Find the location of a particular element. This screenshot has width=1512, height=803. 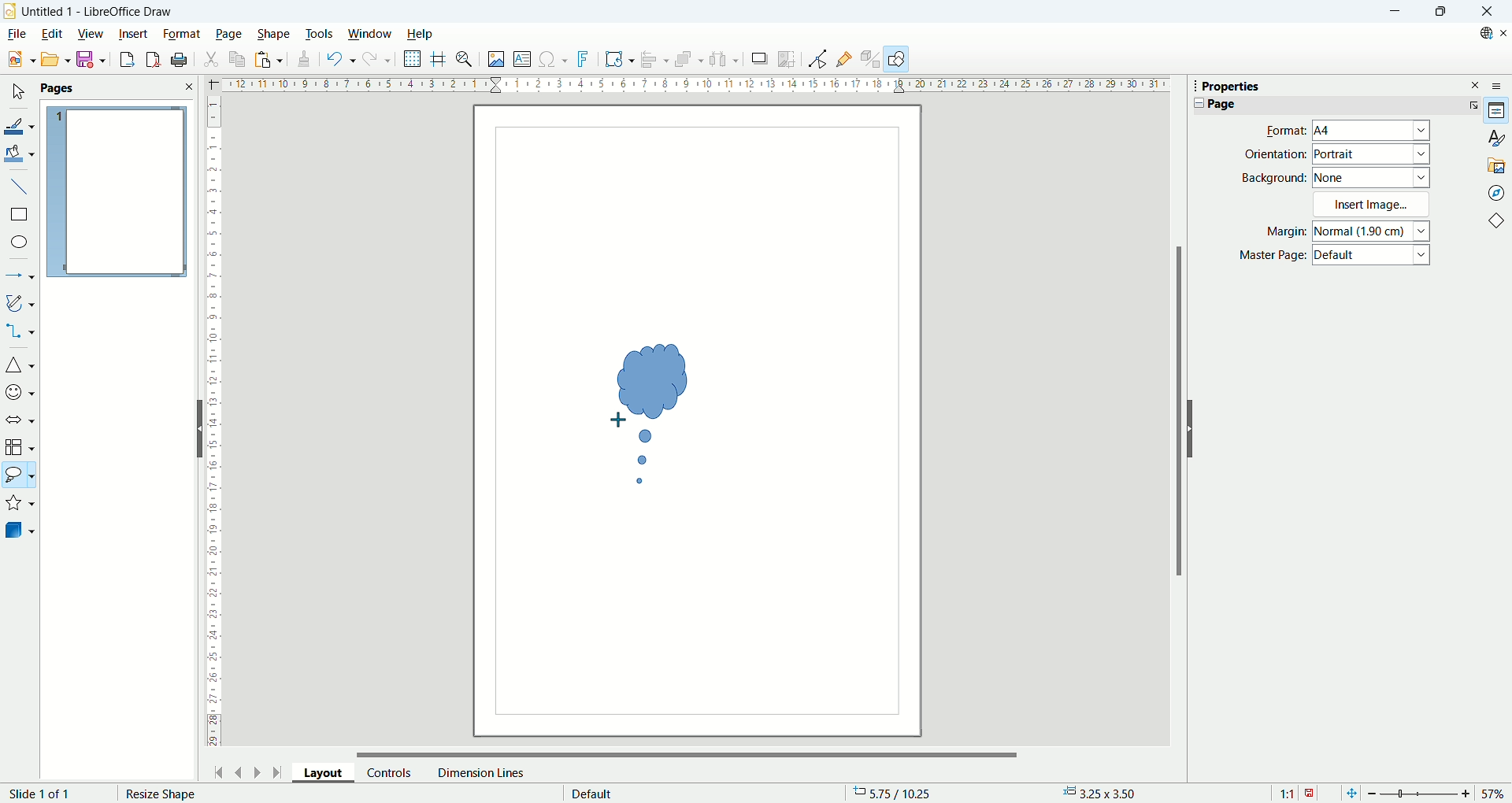

zoom factor is located at coordinates (1436, 792).